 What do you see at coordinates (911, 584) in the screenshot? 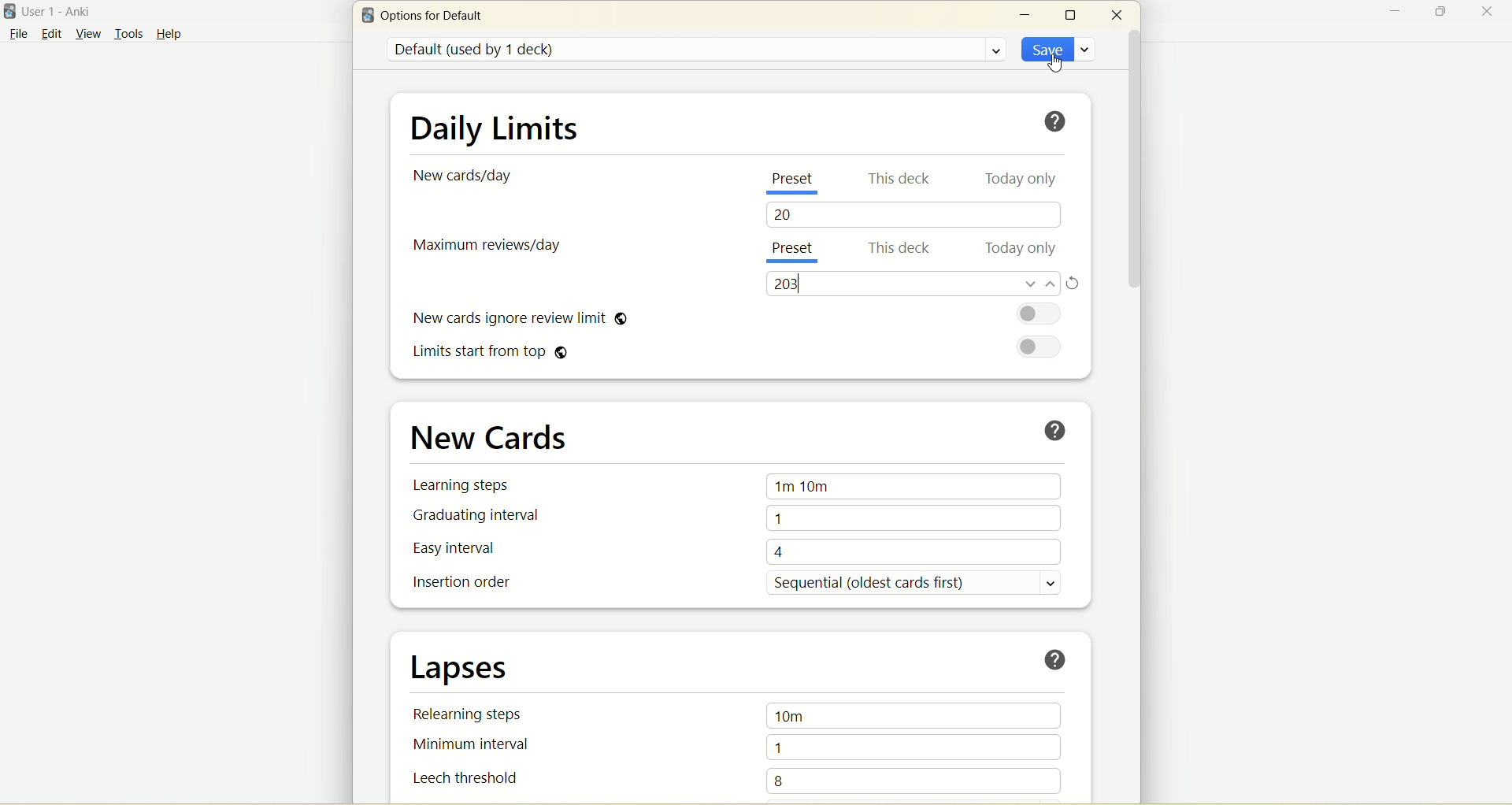
I see `sequential` at bounding box center [911, 584].